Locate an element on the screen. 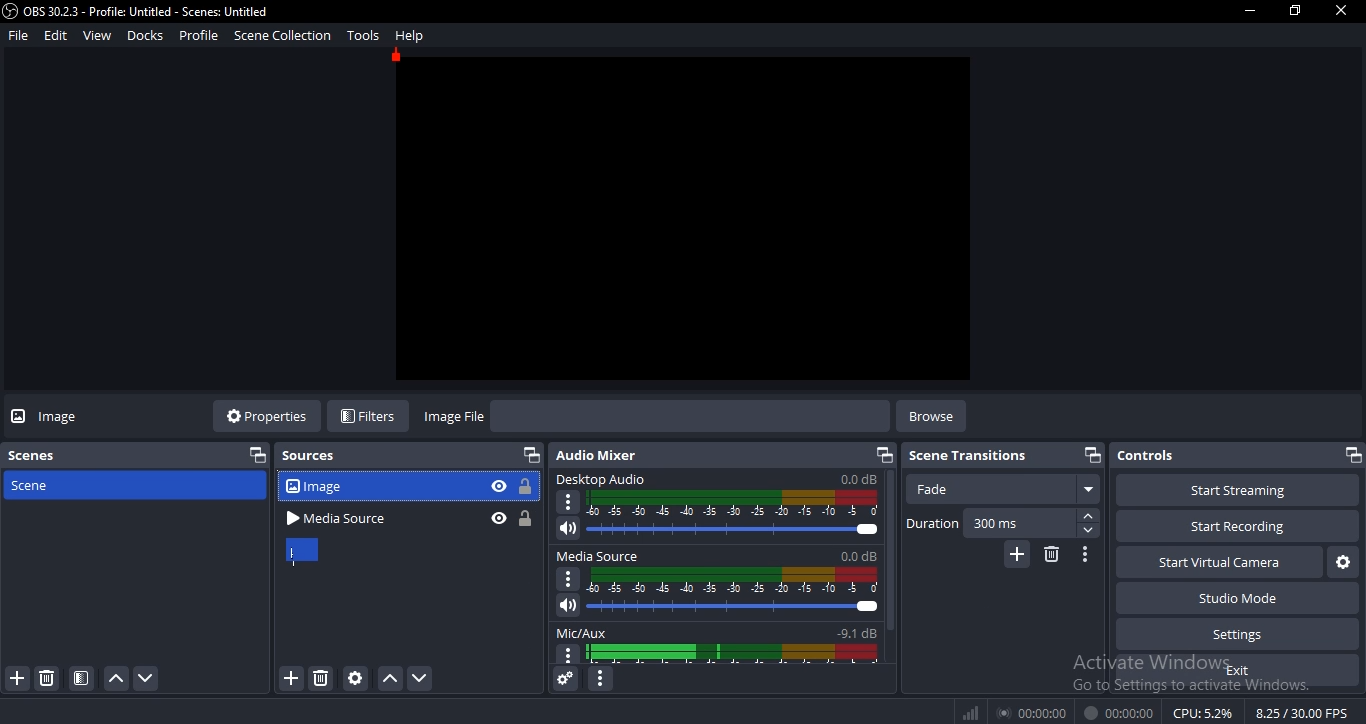 The image size is (1366, 724). scene is located at coordinates (32, 486).